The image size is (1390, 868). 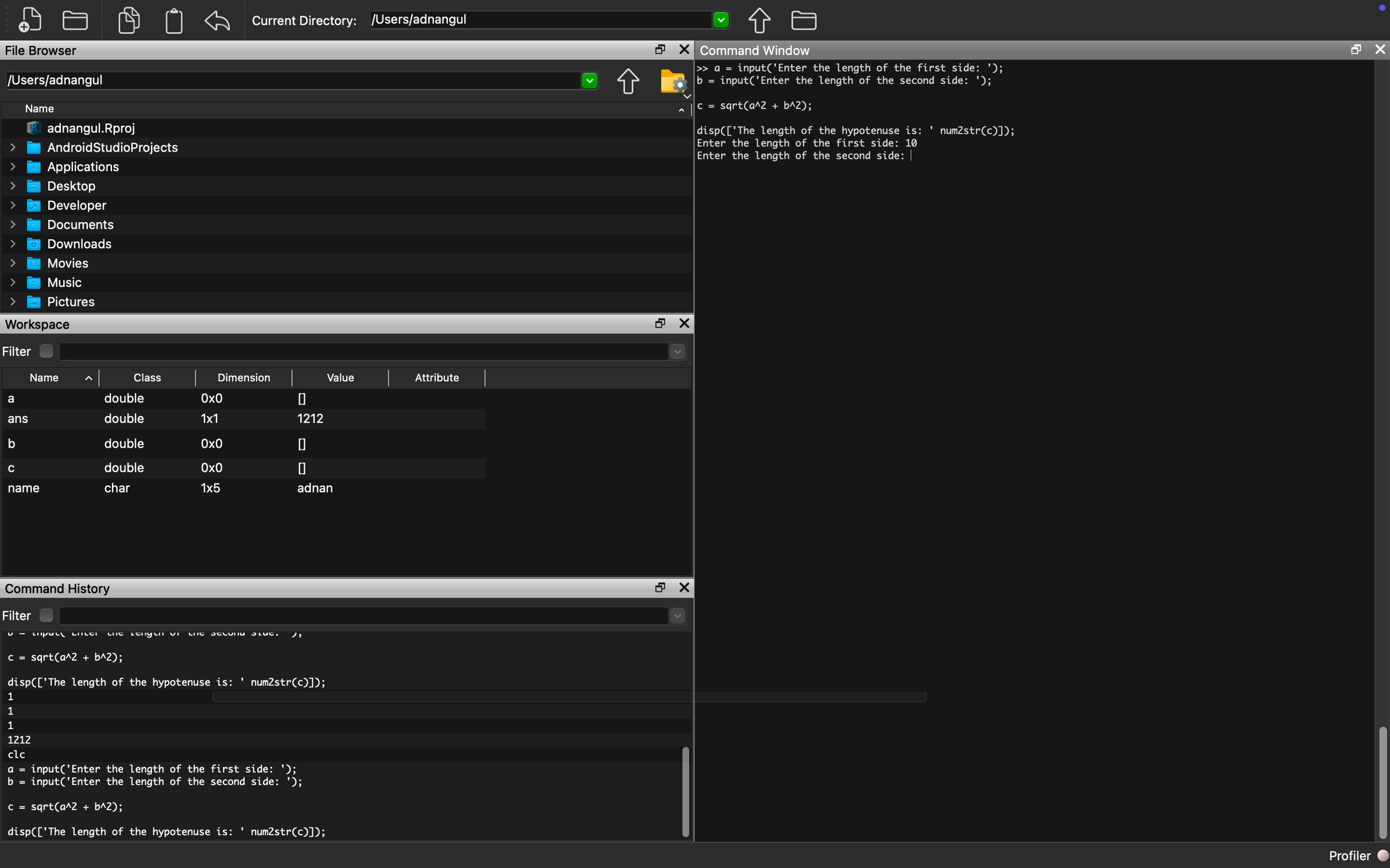 What do you see at coordinates (684, 50) in the screenshot?
I see `close` at bounding box center [684, 50].